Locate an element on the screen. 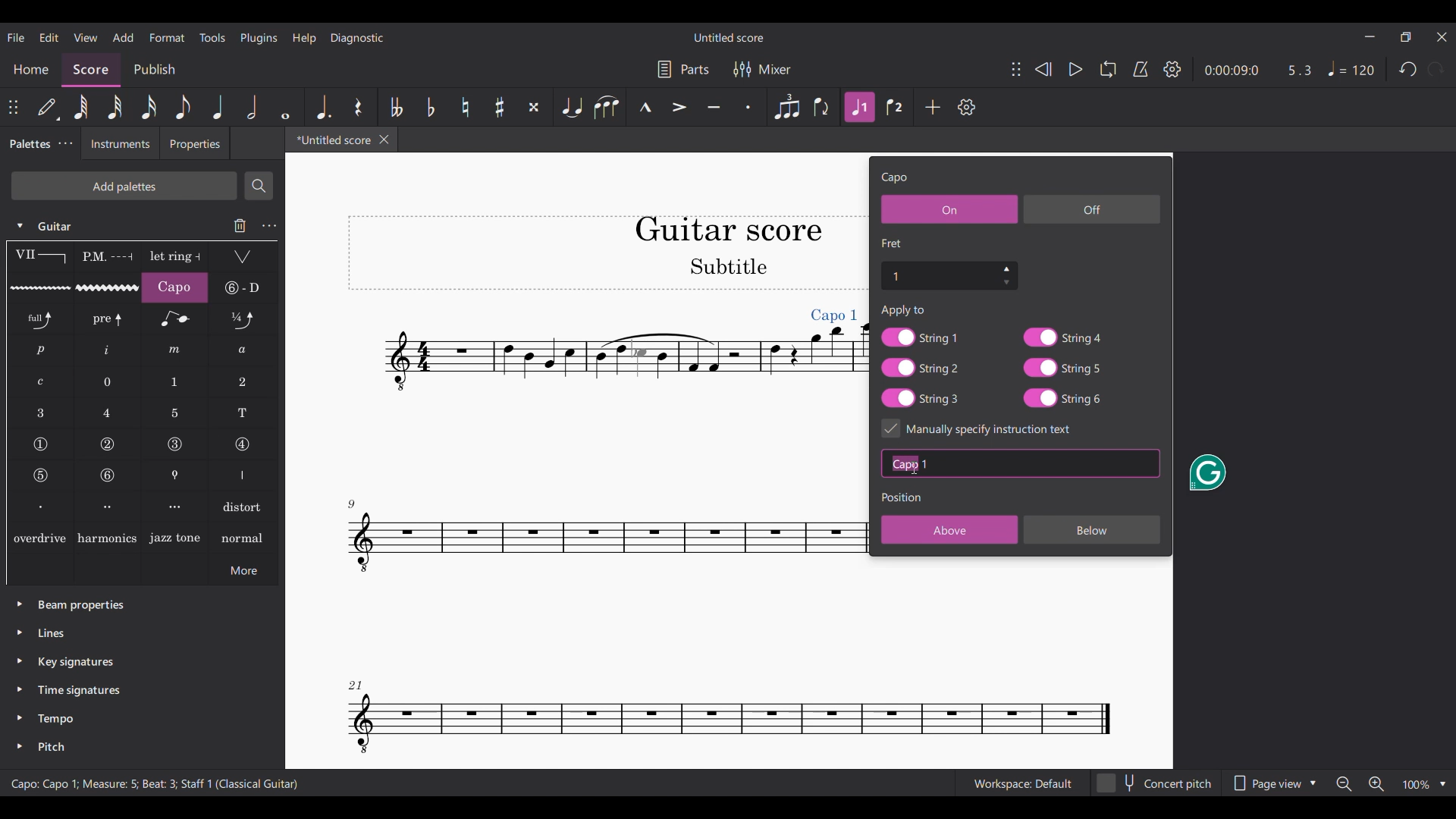 The image size is (1456, 819). Quarter note highlighted after current selection is located at coordinates (216, 106).